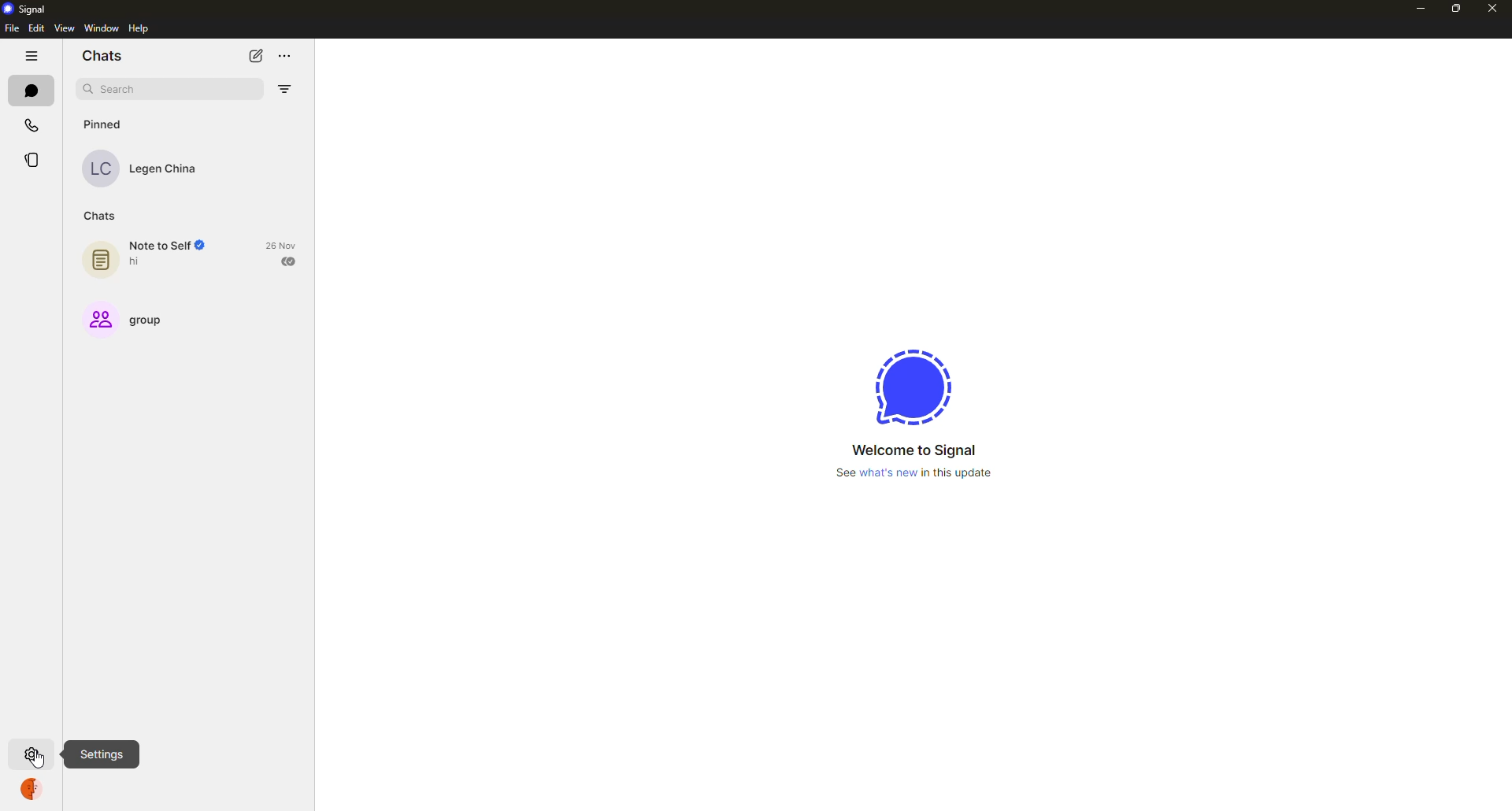  What do you see at coordinates (282, 245) in the screenshot?
I see `28 Nov` at bounding box center [282, 245].